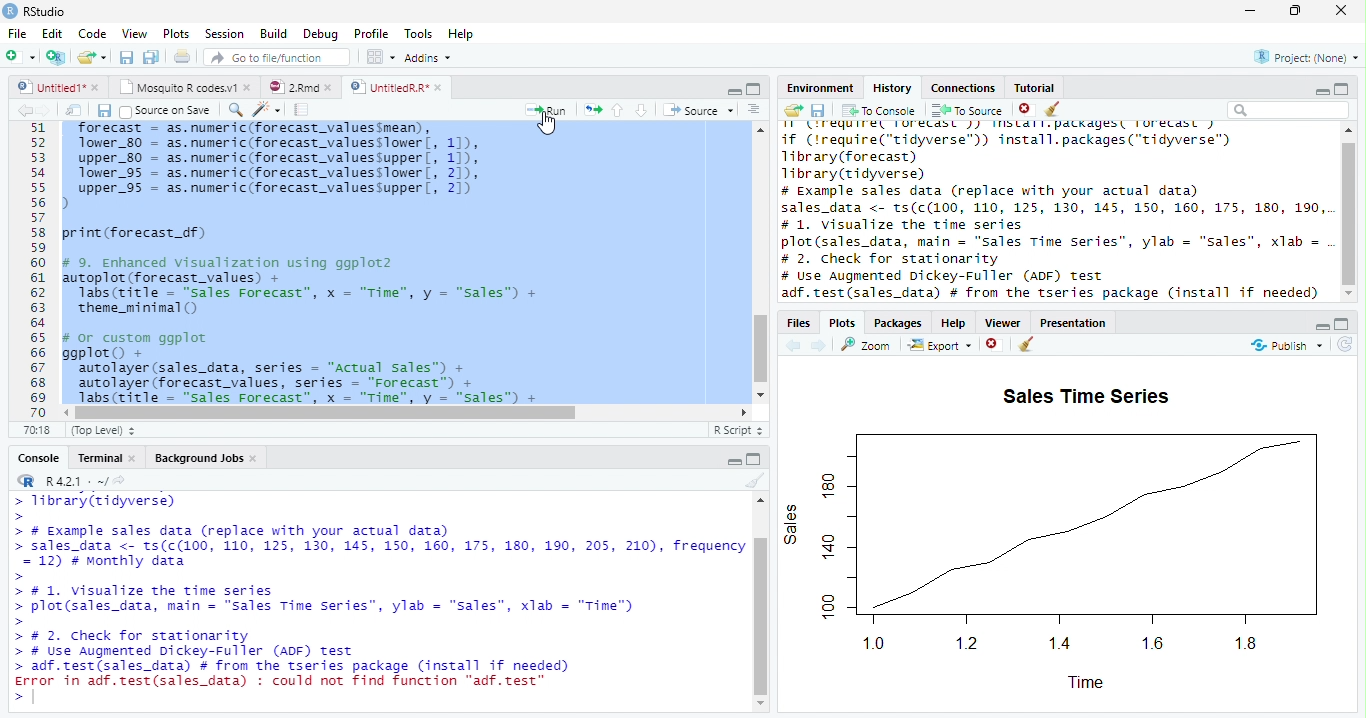 The width and height of the screenshot is (1366, 718). Describe the element at coordinates (460, 33) in the screenshot. I see `Help` at that location.